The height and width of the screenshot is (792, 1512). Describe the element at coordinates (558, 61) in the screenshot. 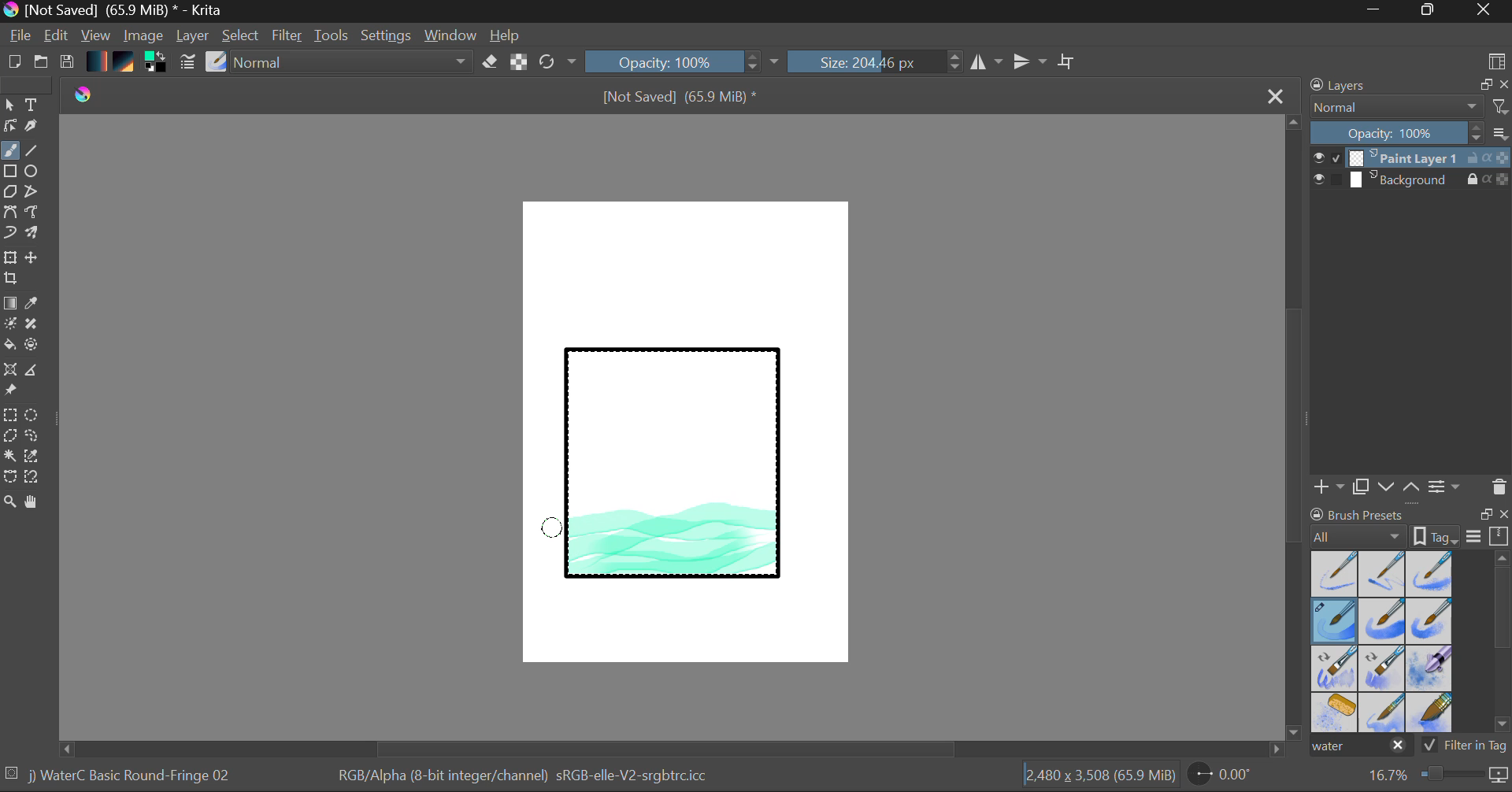

I see `Refresh` at that location.